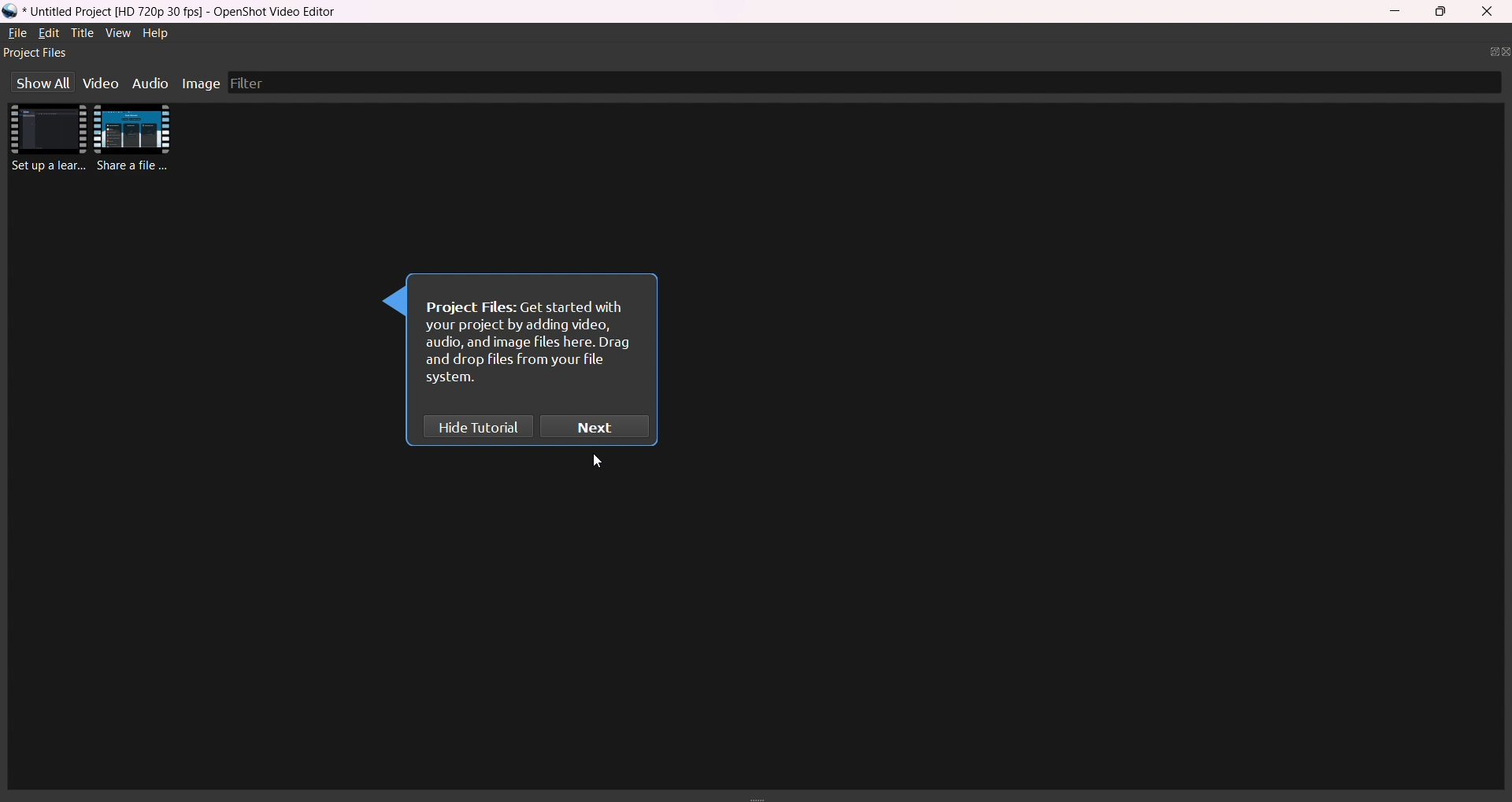 This screenshot has height=802, width=1512. I want to click on instruction, so click(533, 340).